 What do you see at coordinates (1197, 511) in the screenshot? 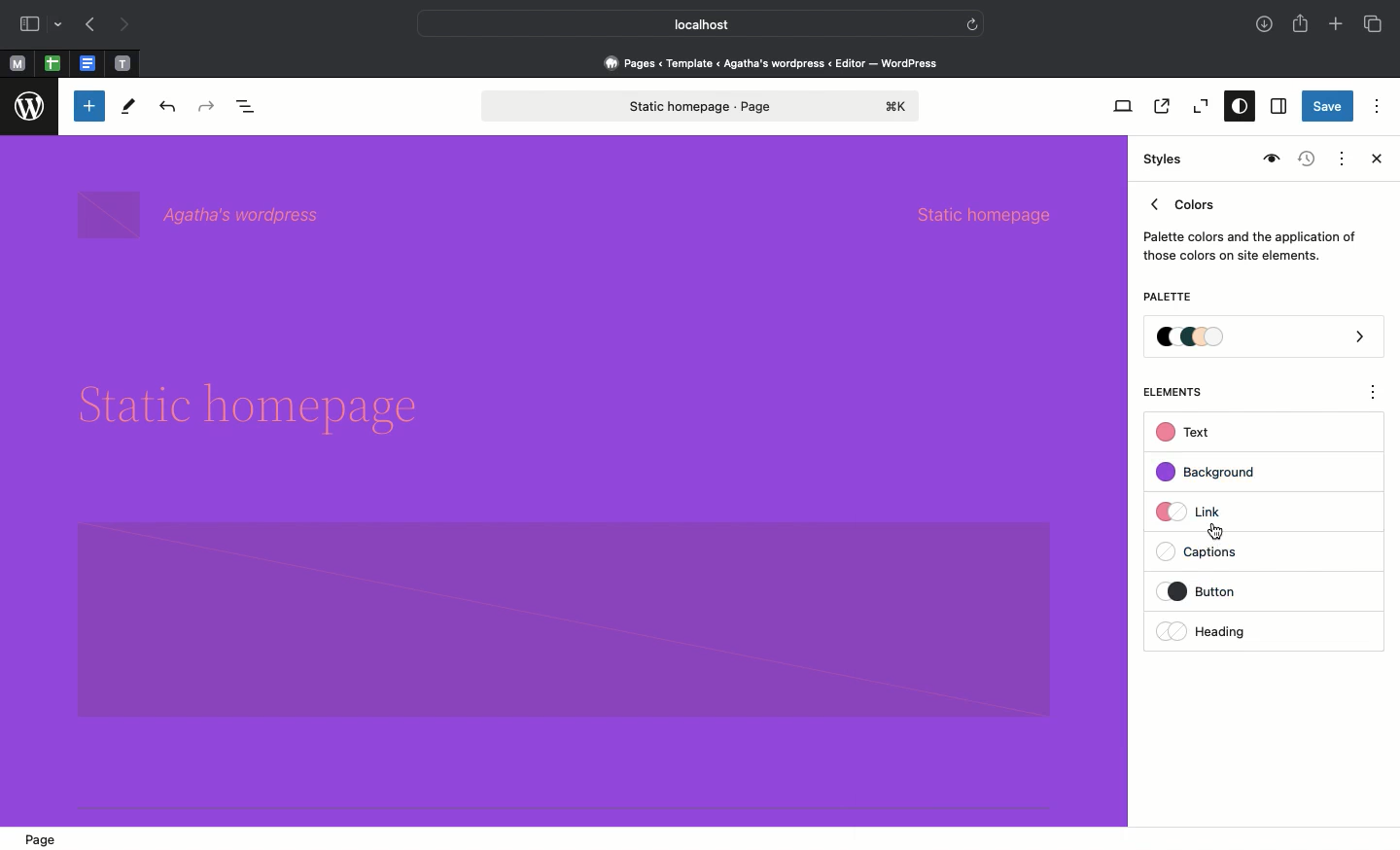
I see `Link` at bounding box center [1197, 511].